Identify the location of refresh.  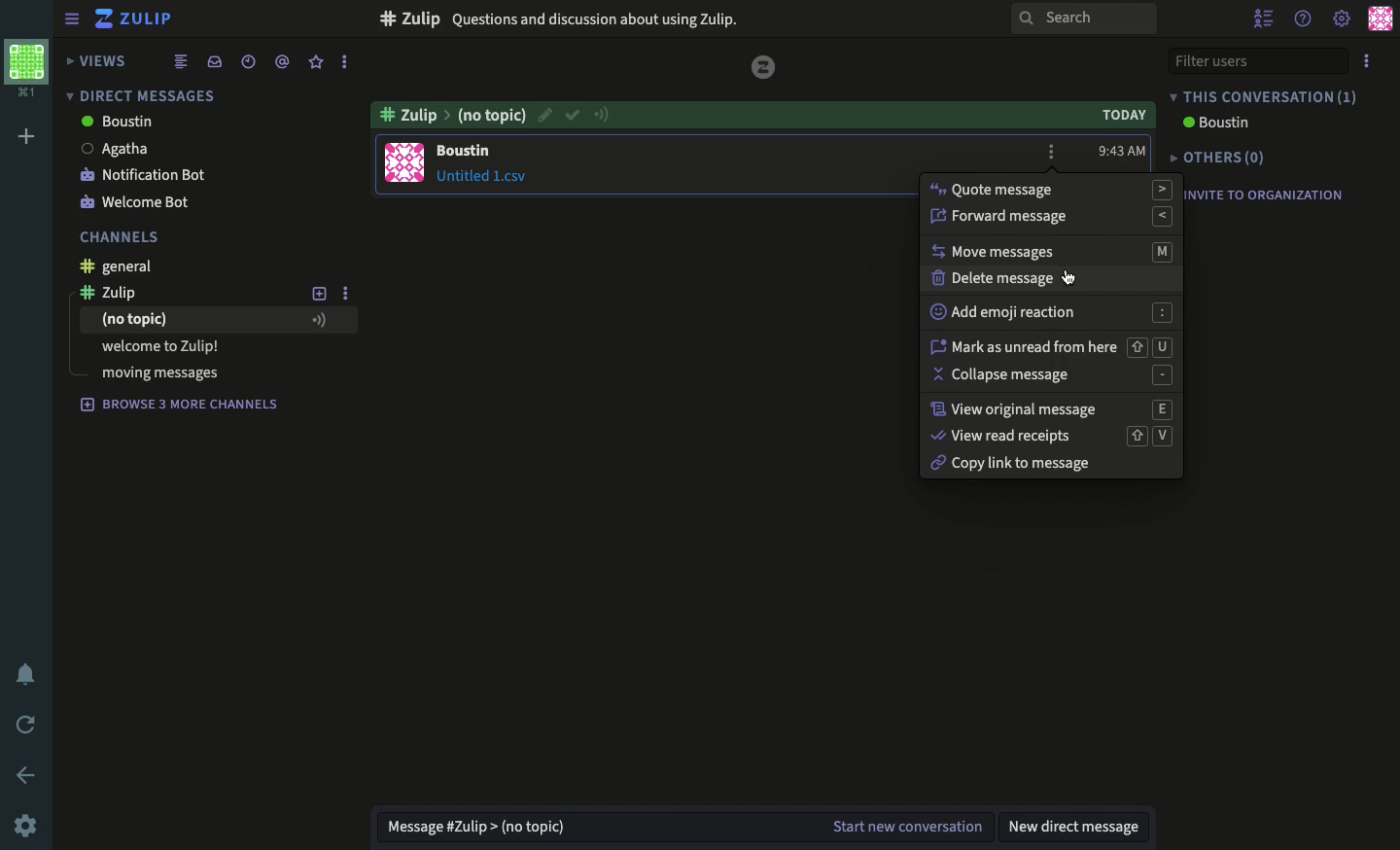
(27, 726).